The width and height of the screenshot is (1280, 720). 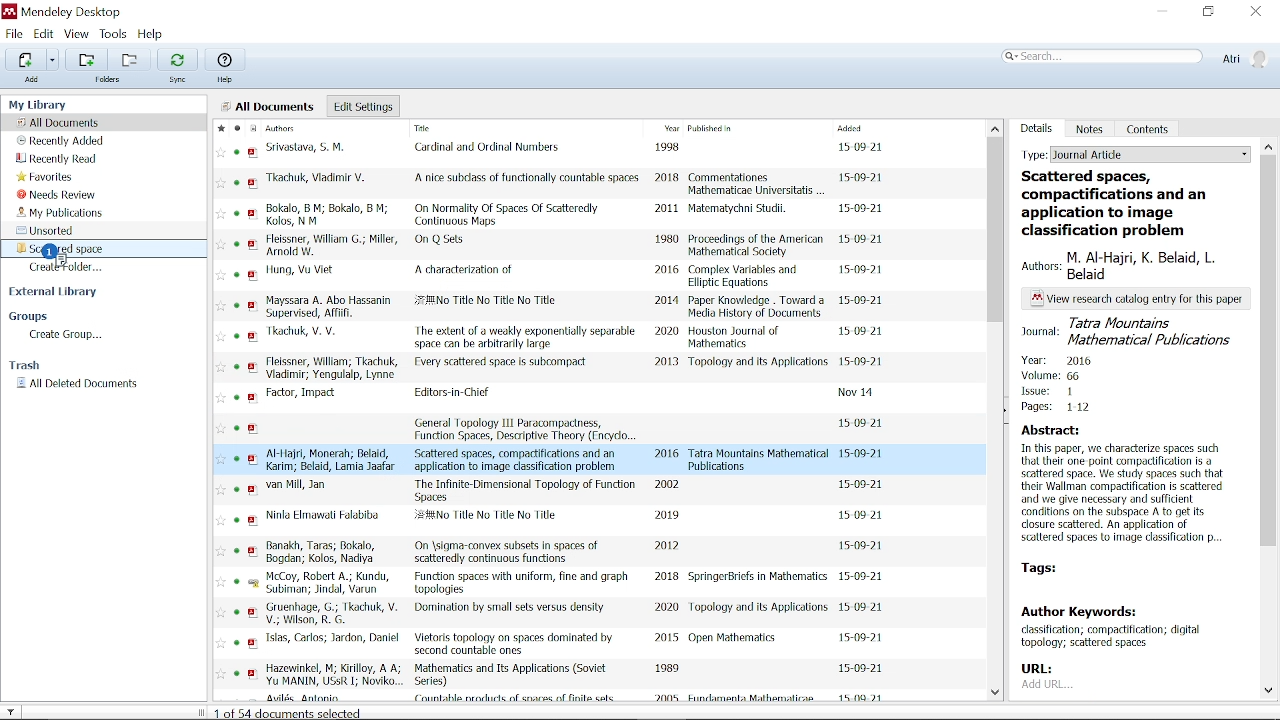 I want to click on date, so click(x=864, y=362).